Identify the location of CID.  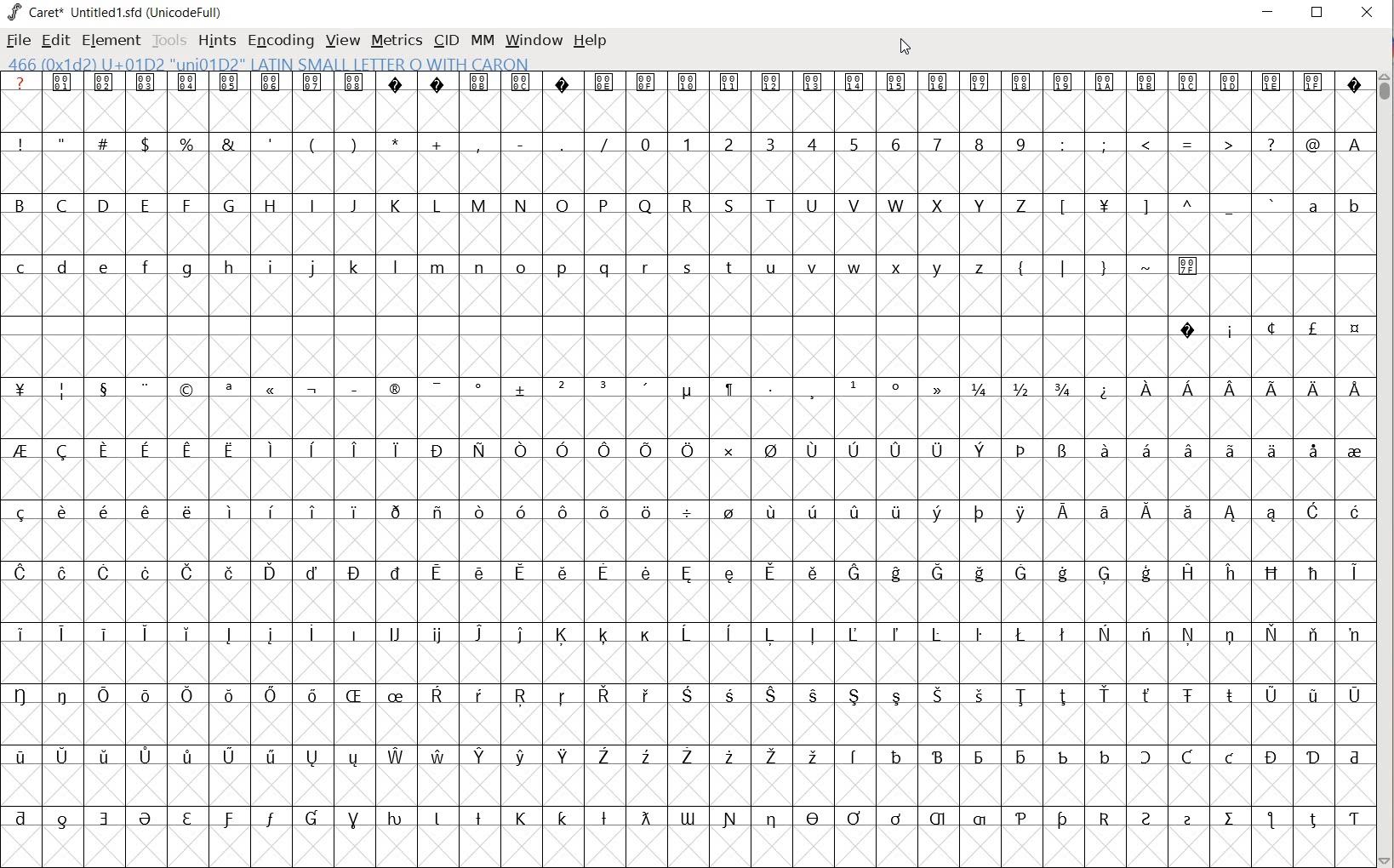
(445, 40).